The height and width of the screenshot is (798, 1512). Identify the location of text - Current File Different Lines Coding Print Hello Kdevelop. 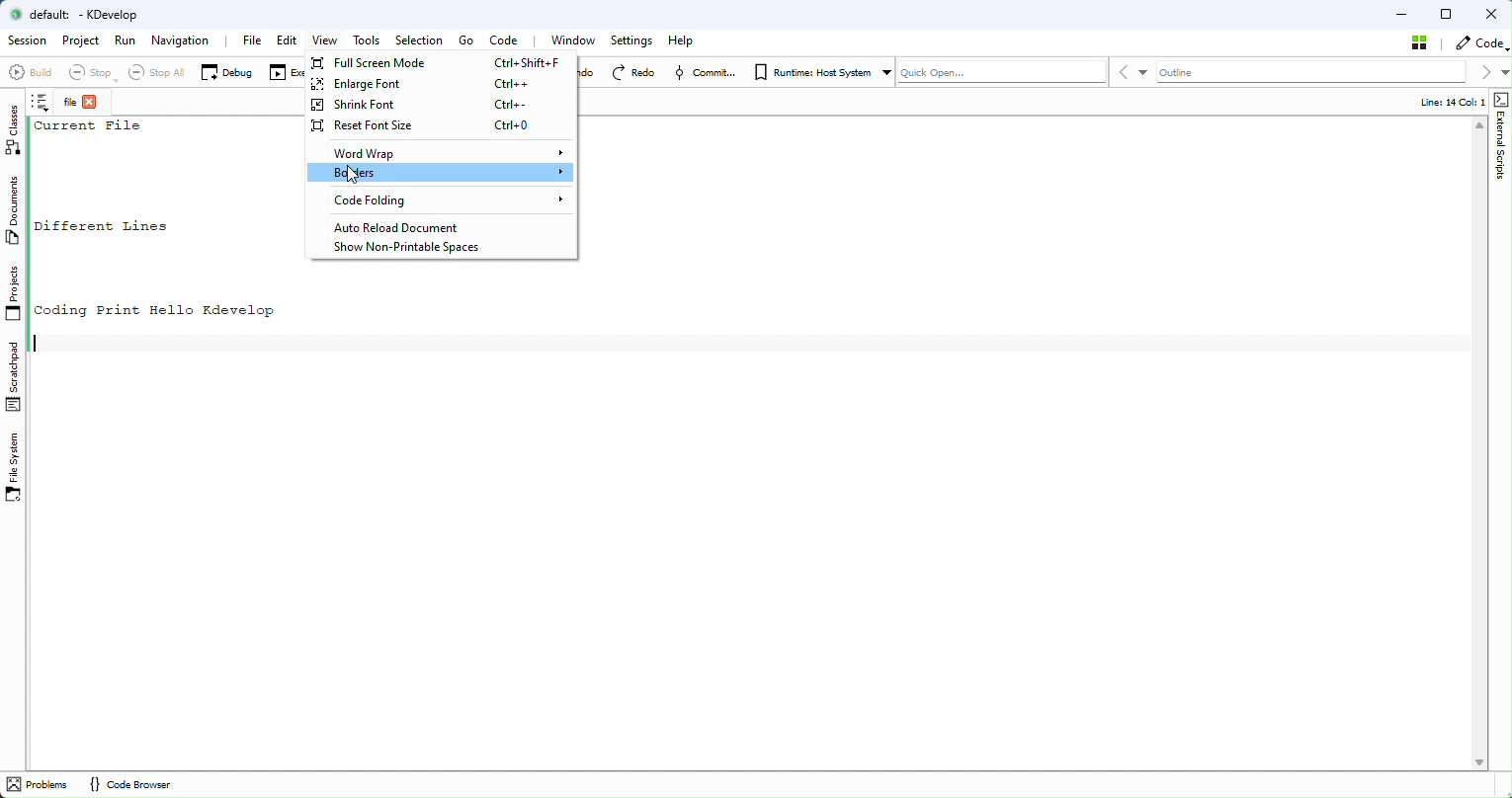
(170, 218).